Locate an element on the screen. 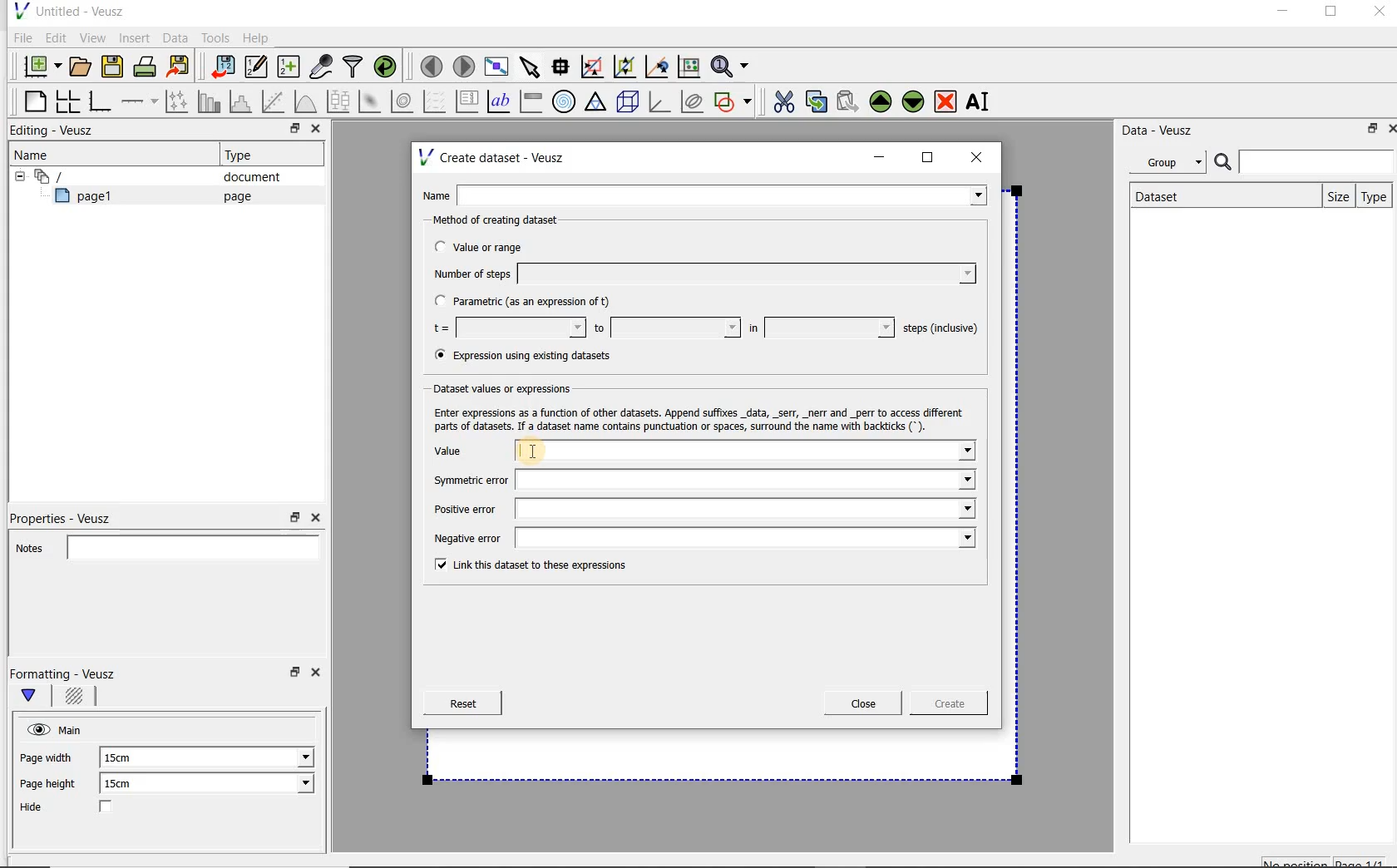 This screenshot has height=868, width=1397. view plot full screen is located at coordinates (495, 65).